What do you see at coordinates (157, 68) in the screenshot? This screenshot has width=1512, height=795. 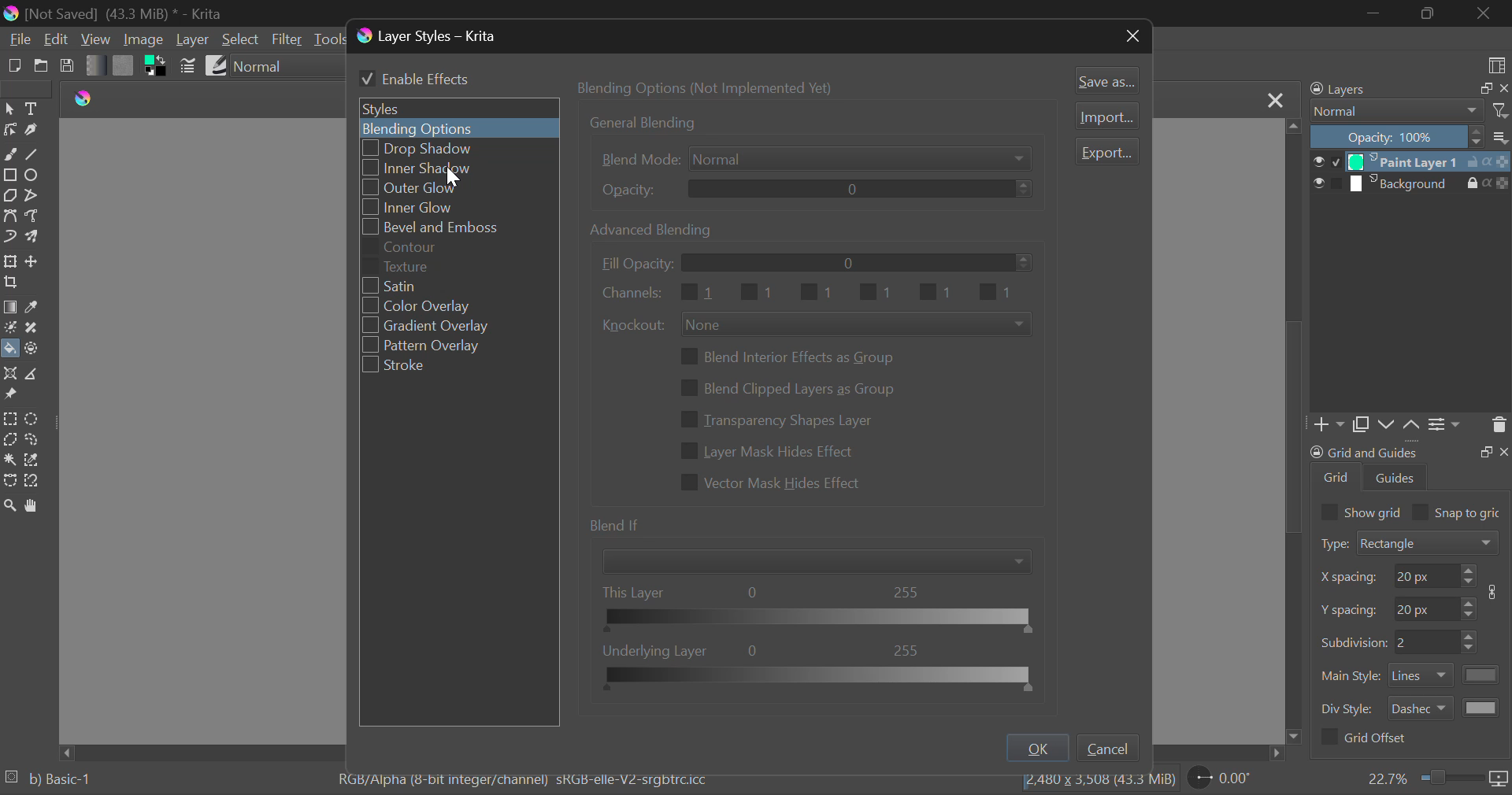 I see `Colors in Use` at bounding box center [157, 68].